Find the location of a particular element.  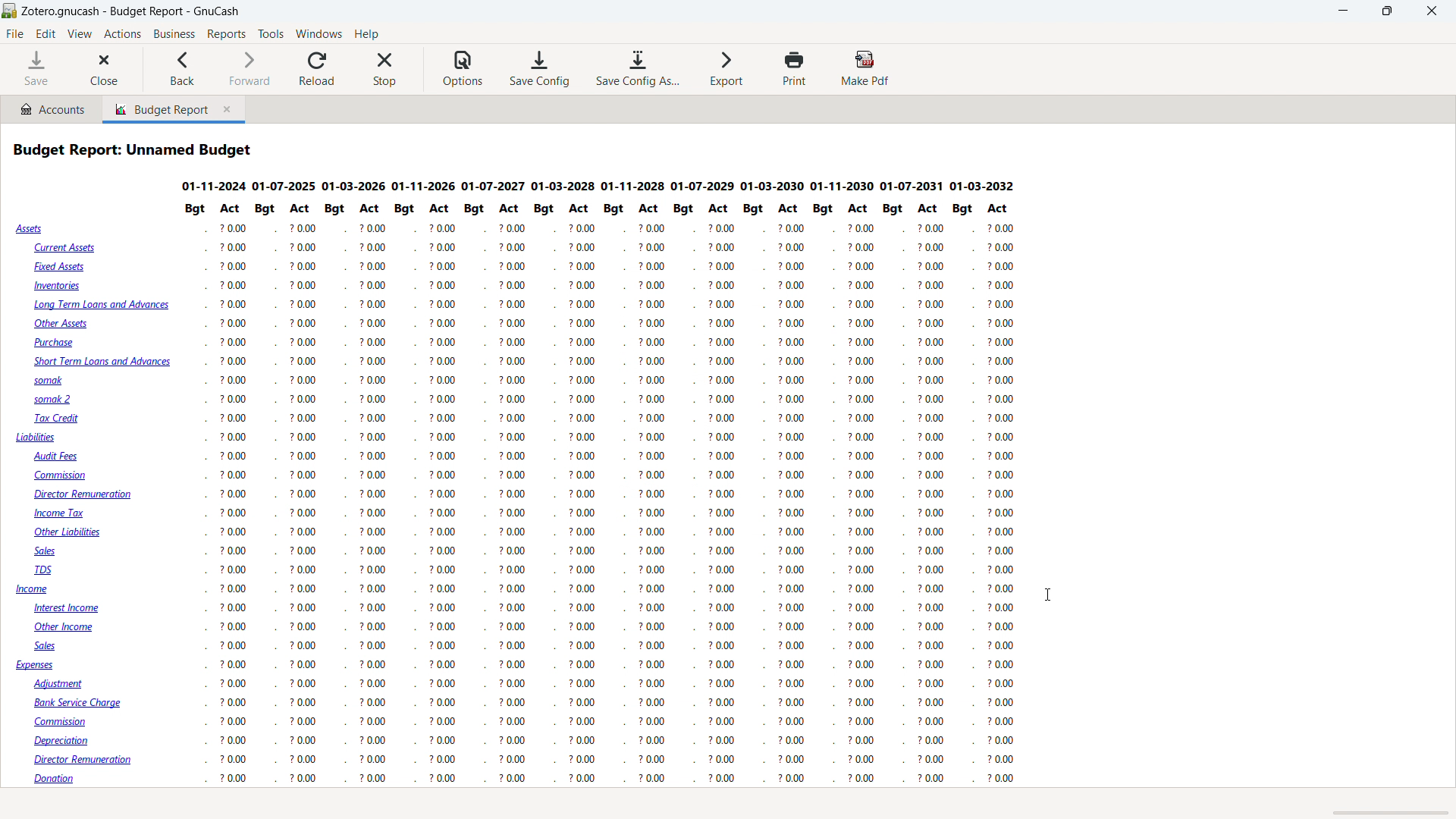

print is located at coordinates (795, 68).